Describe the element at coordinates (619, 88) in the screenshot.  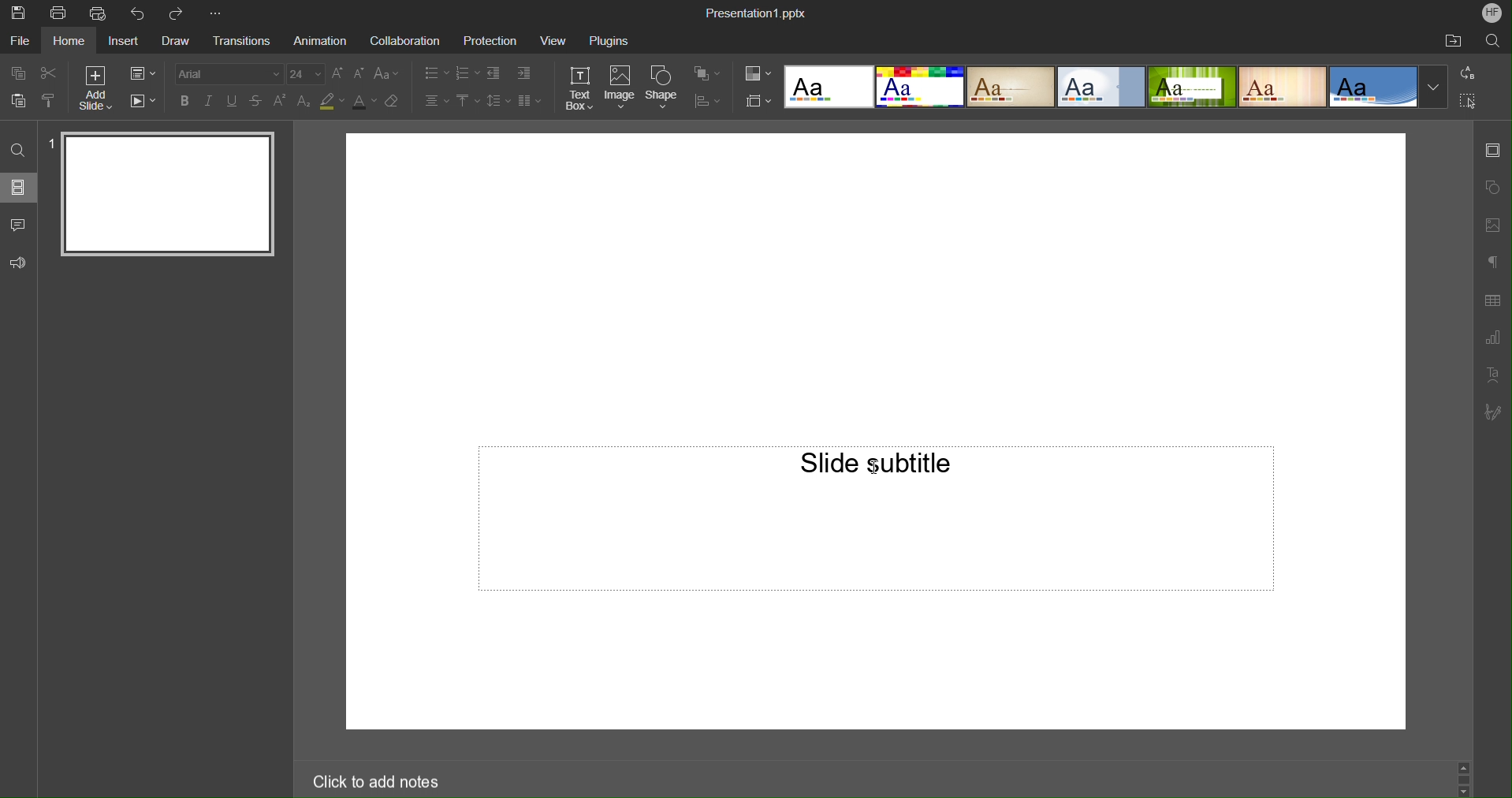
I see `Image` at that location.